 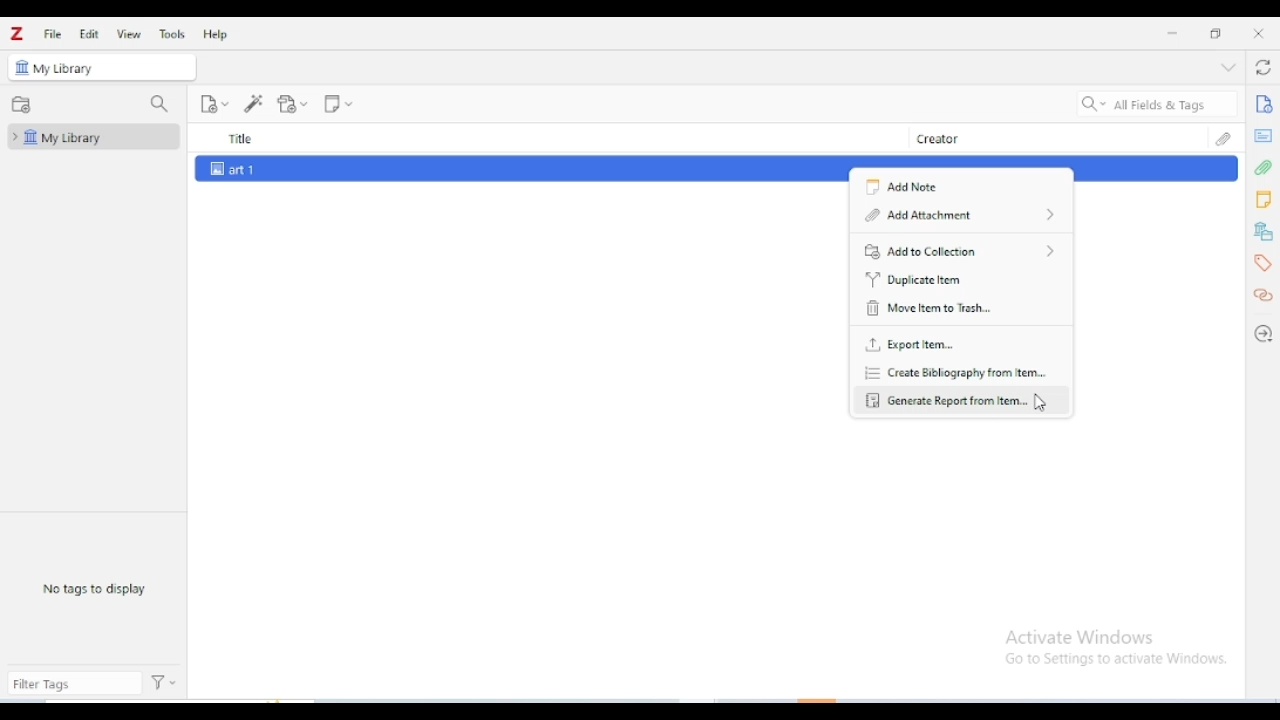 I want to click on help, so click(x=217, y=34).